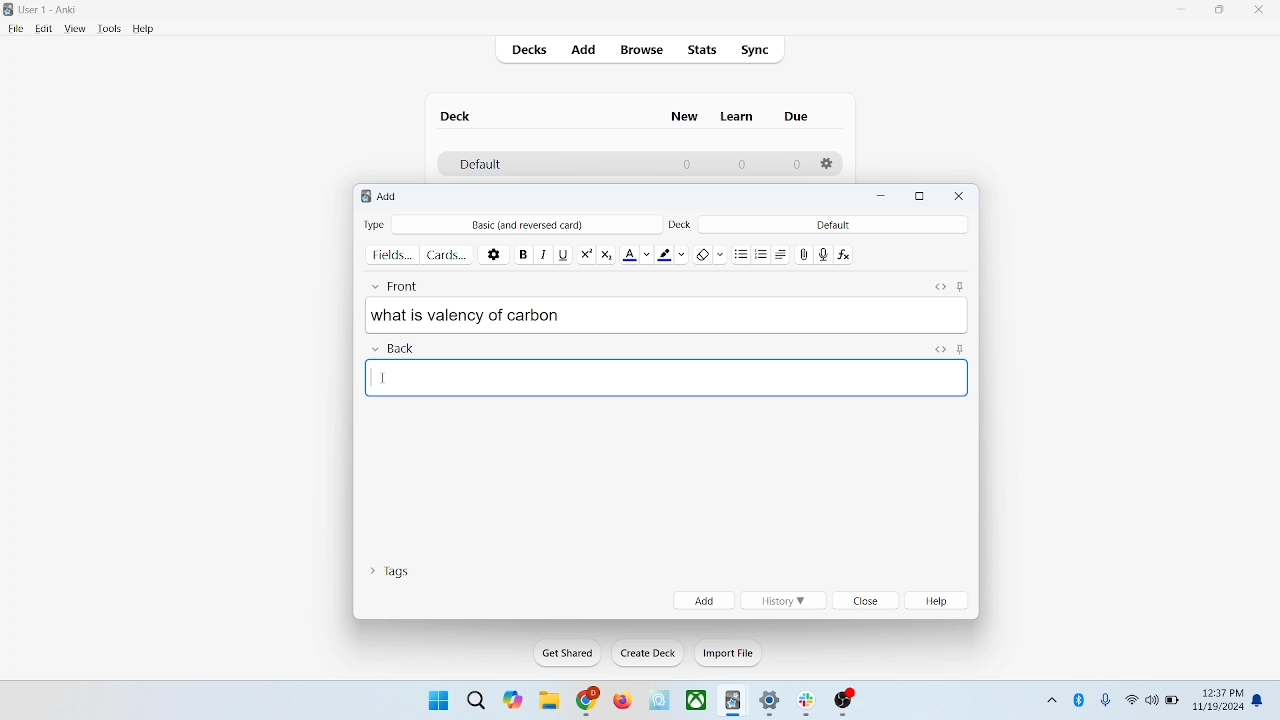  Describe the element at coordinates (541, 253) in the screenshot. I see `italics` at that location.